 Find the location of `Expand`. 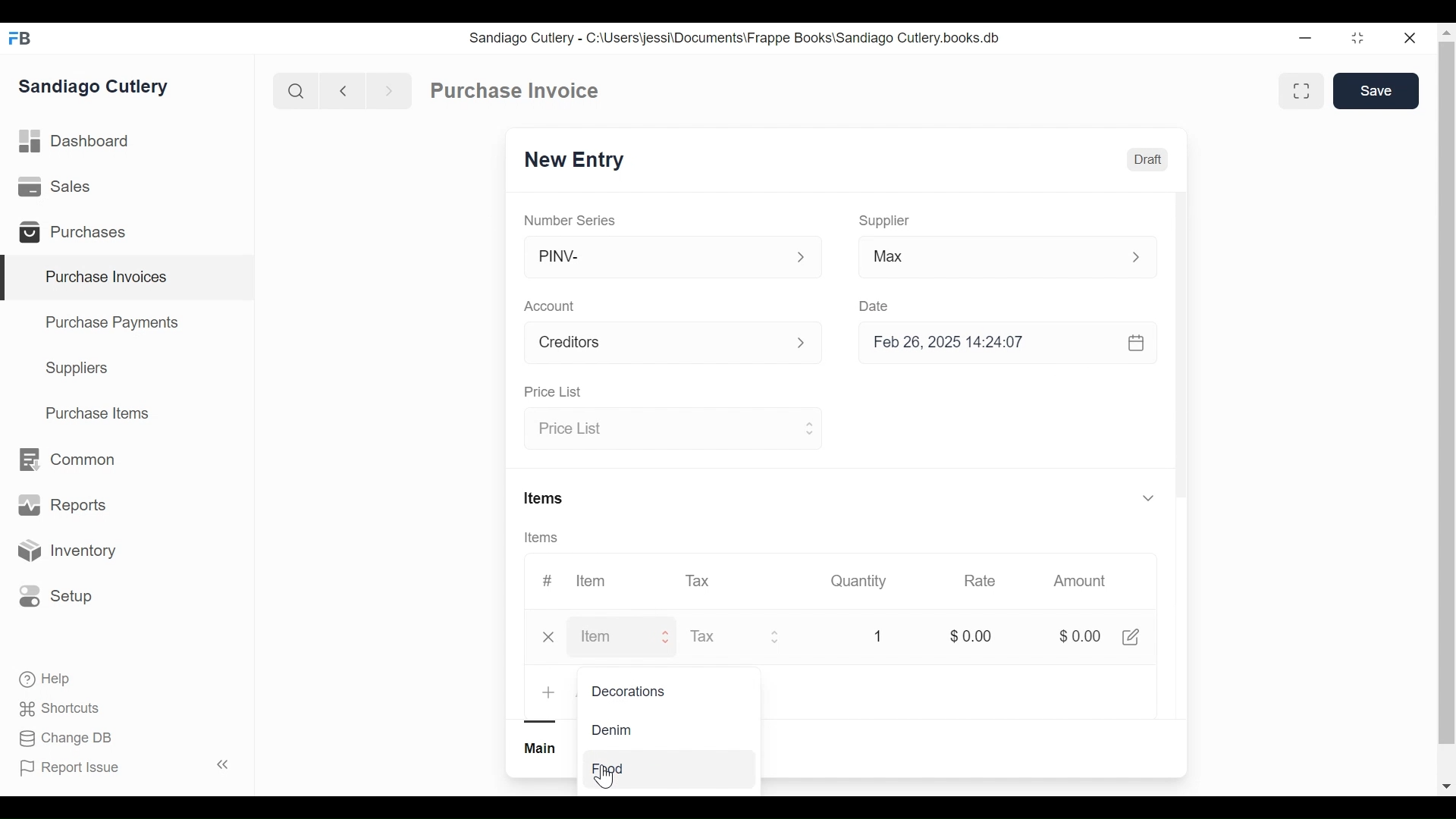

Expand is located at coordinates (1138, 257).